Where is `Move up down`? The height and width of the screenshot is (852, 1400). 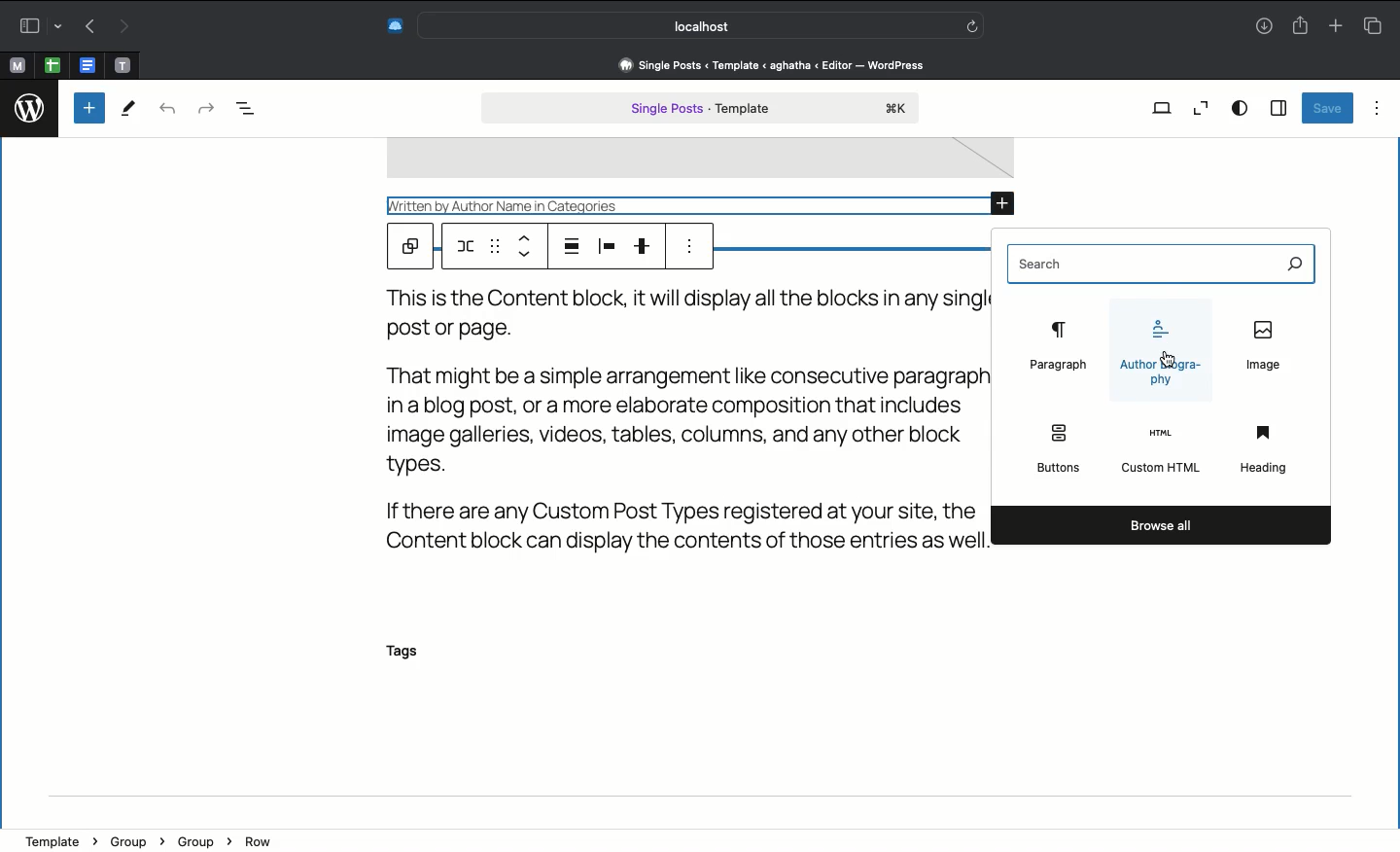 Move up down is located at coordinates (526, 244).